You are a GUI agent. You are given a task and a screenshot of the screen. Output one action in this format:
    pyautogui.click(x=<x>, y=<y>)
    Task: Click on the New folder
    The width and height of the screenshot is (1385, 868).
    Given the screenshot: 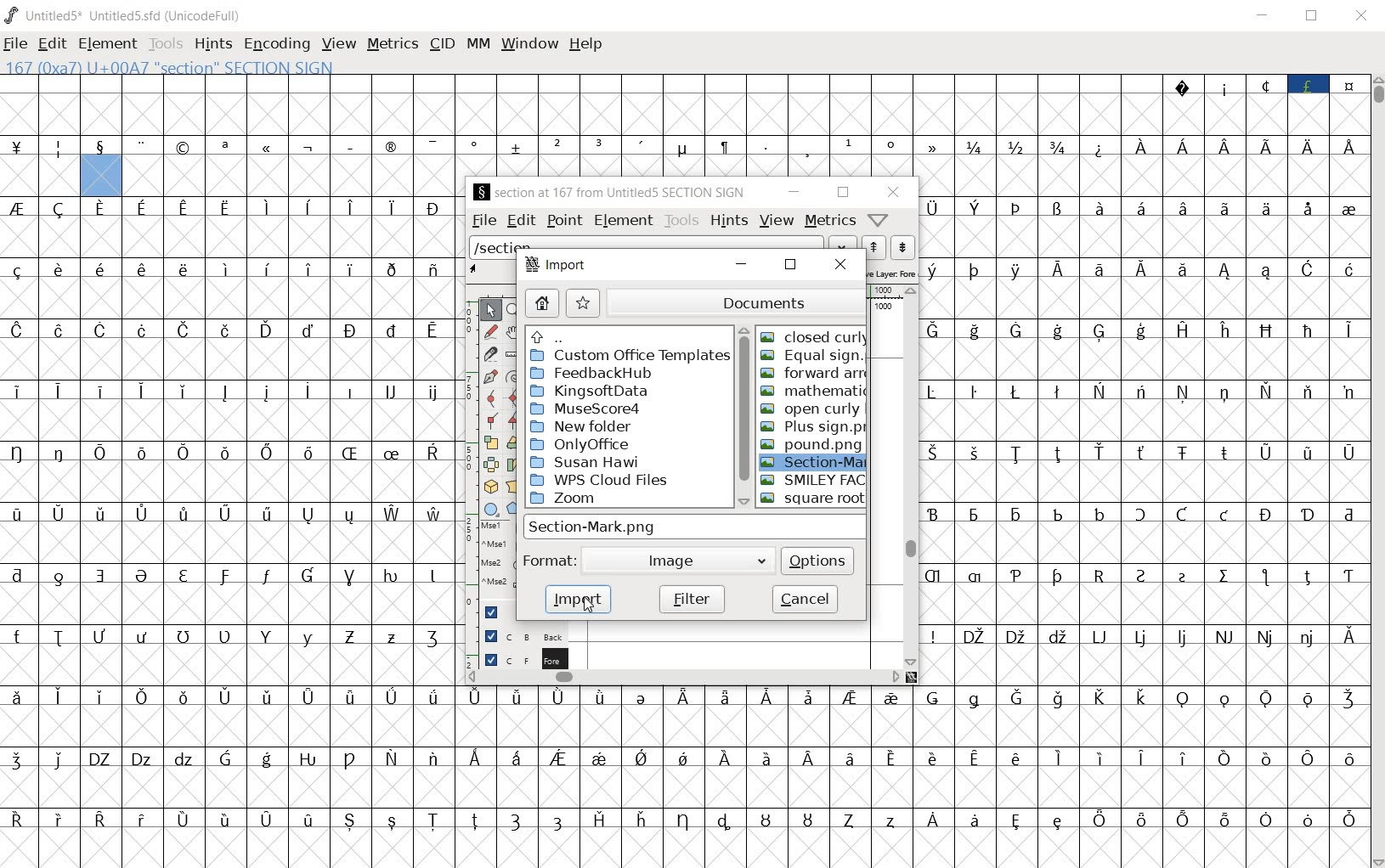 What is the action you would take?
    pyautogui.click(x=584, y=426)
    